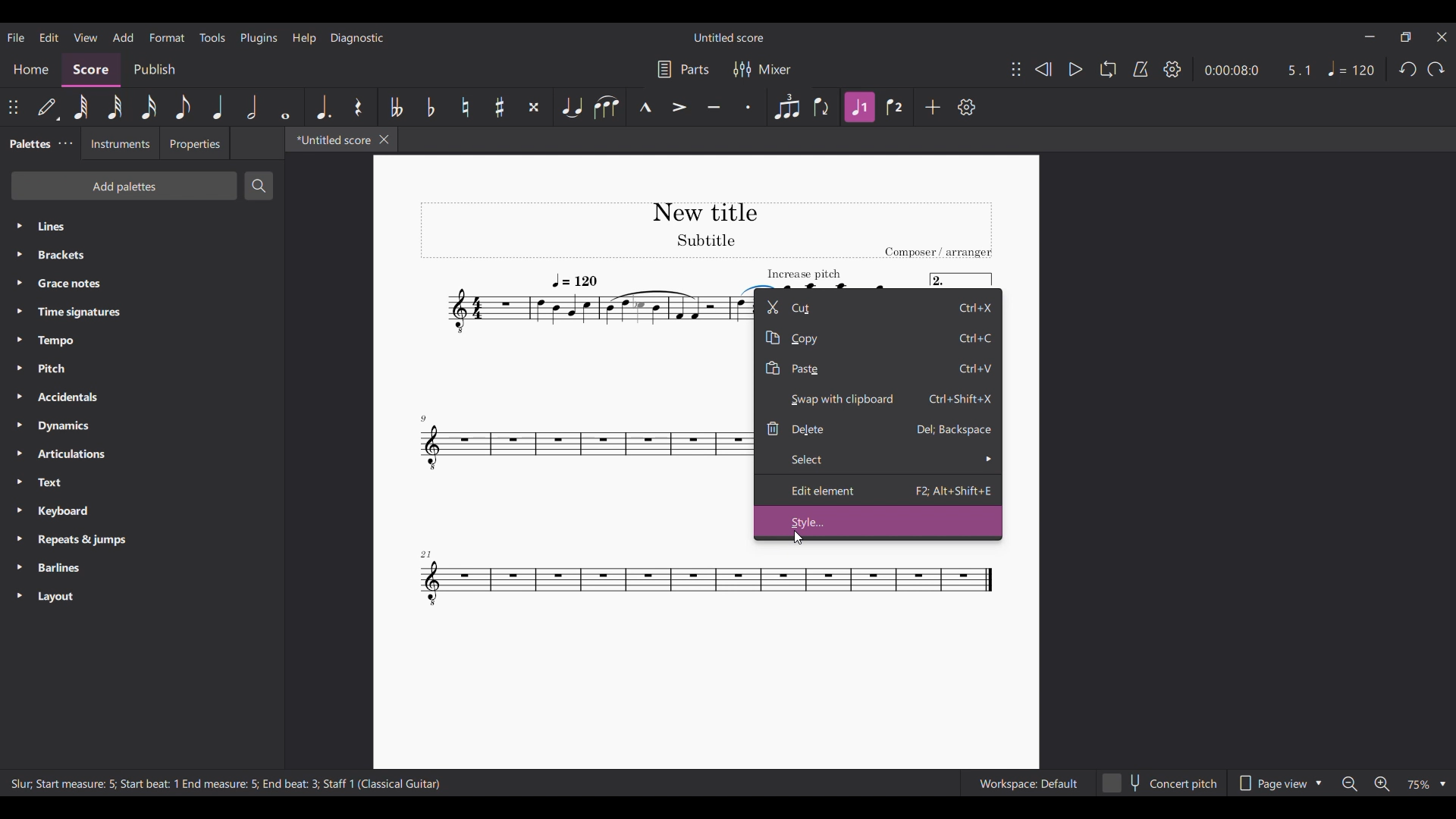 This screenshot has width=1456, height=819. What do you see at coordinates (1043, 70) in the screenshot?
I see `Rewind` at bounding box center [1043, 70].